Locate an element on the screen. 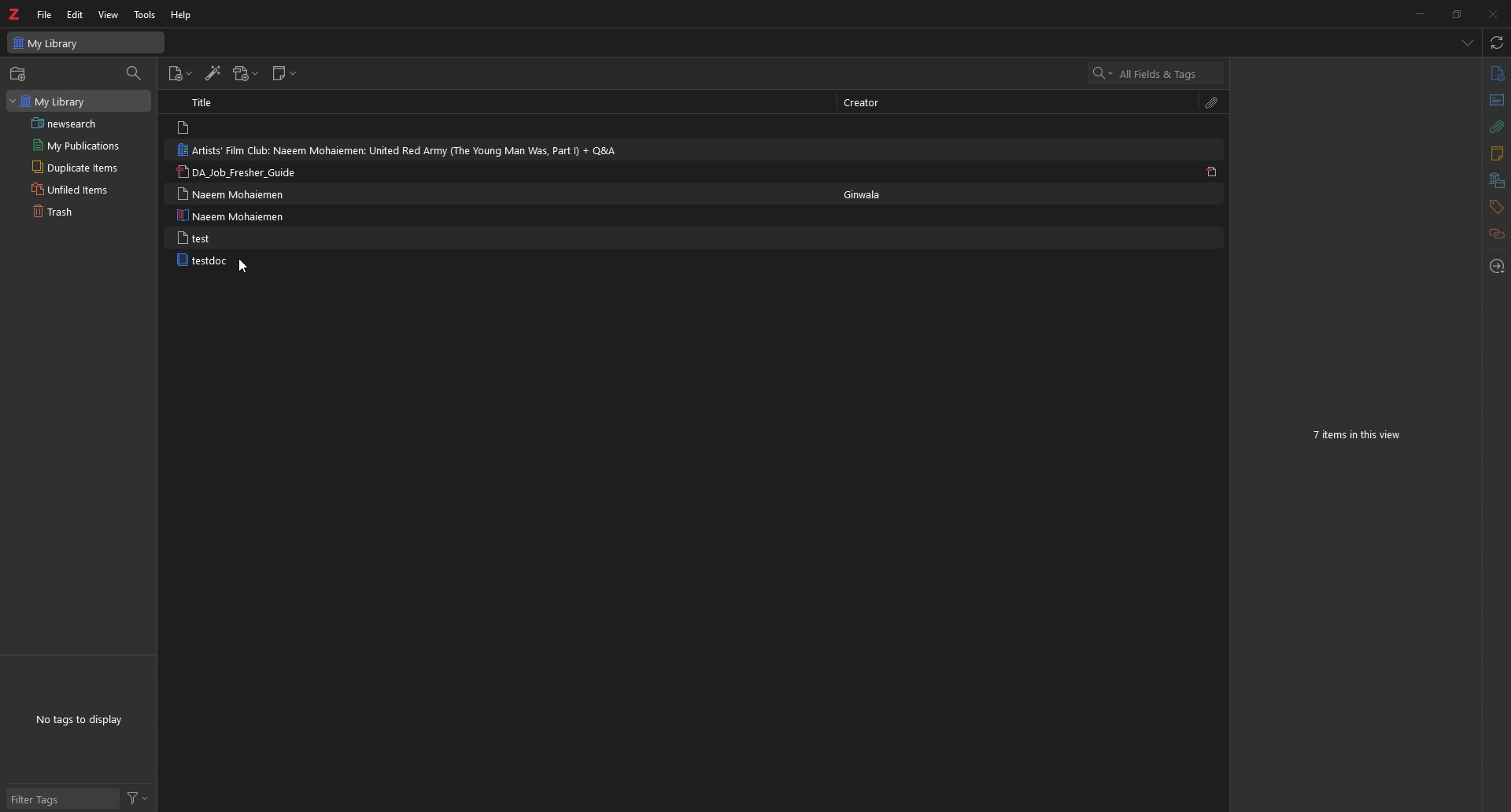 The image size is (1511, 812). Maximize is located at coordinates (1457, 16).